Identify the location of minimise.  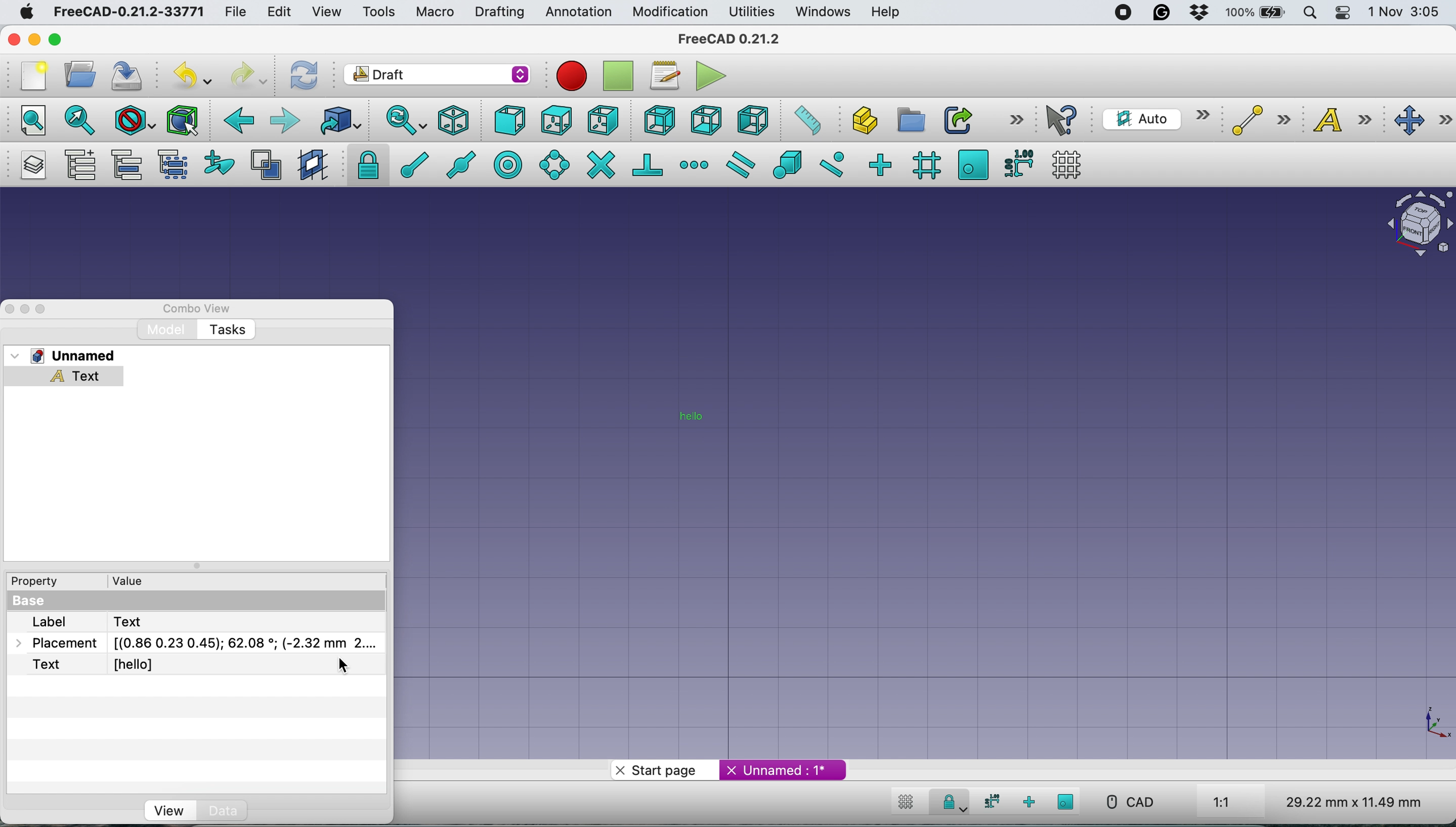
(25, 307).